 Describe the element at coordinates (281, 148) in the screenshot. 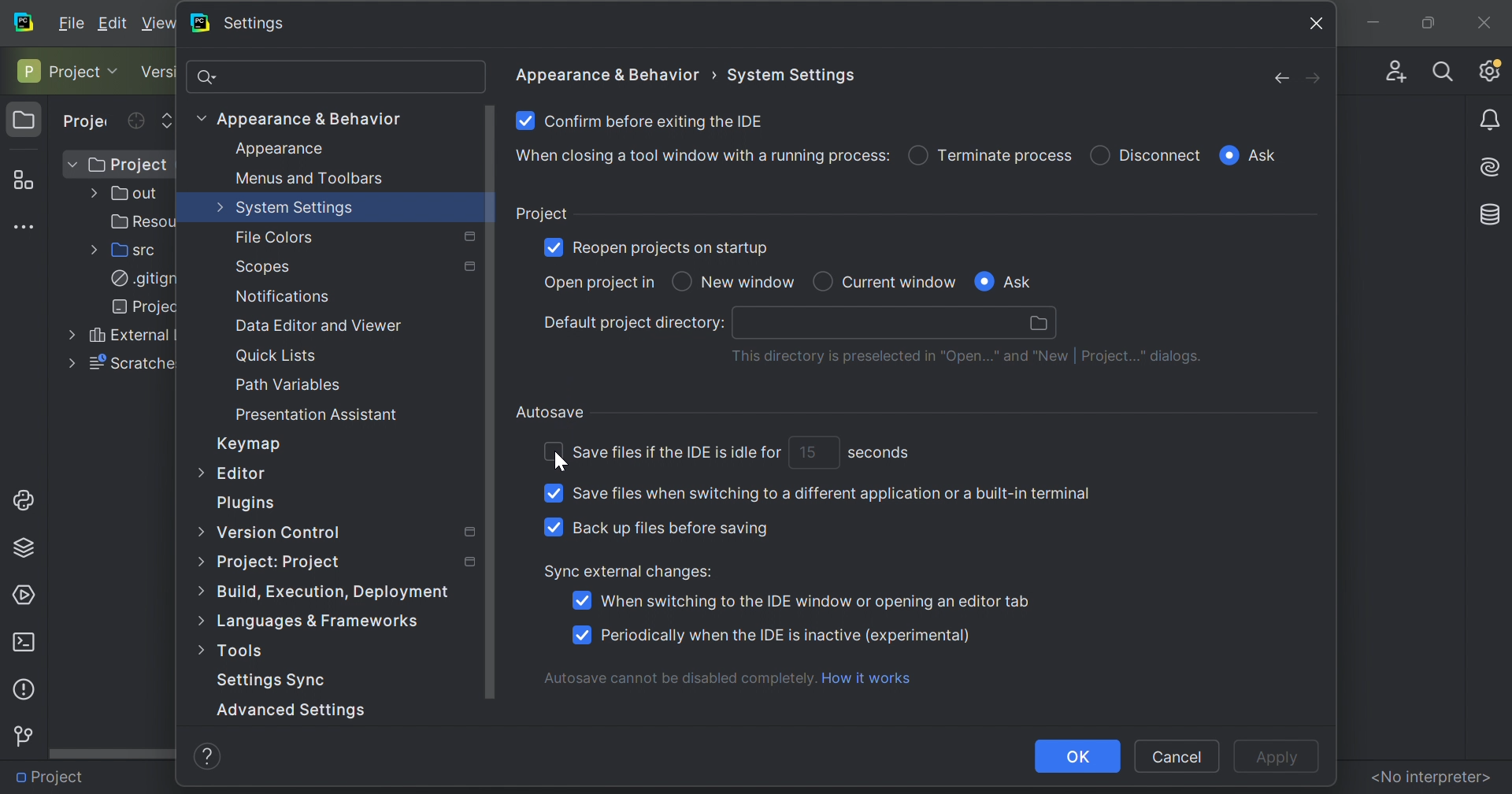

I see `Appearance` at that location.